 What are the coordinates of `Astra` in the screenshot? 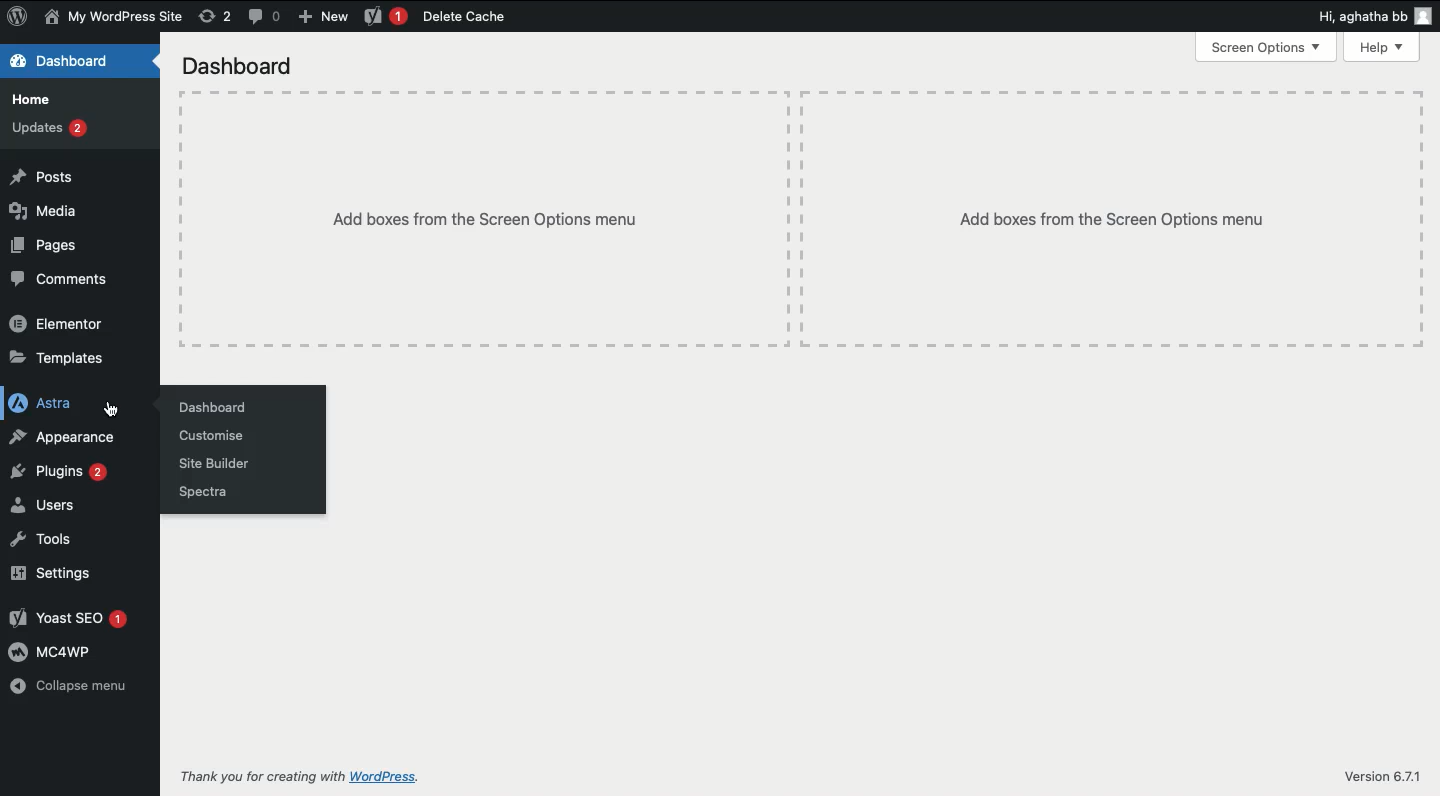 It's located at (41, 402).